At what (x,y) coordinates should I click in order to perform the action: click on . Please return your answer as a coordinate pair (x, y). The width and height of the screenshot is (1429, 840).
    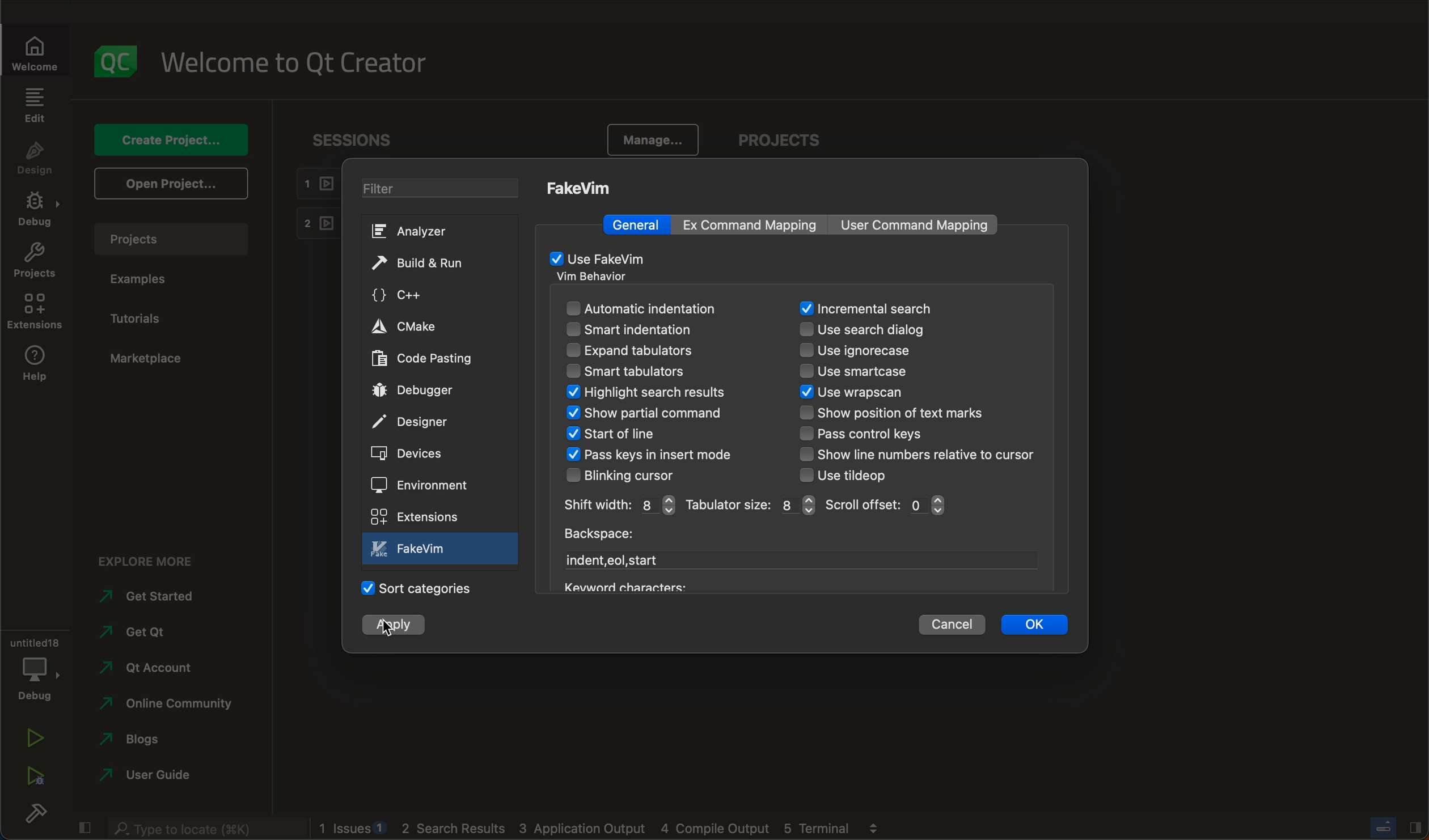
    Looking at the image, I should click on (455, 826).